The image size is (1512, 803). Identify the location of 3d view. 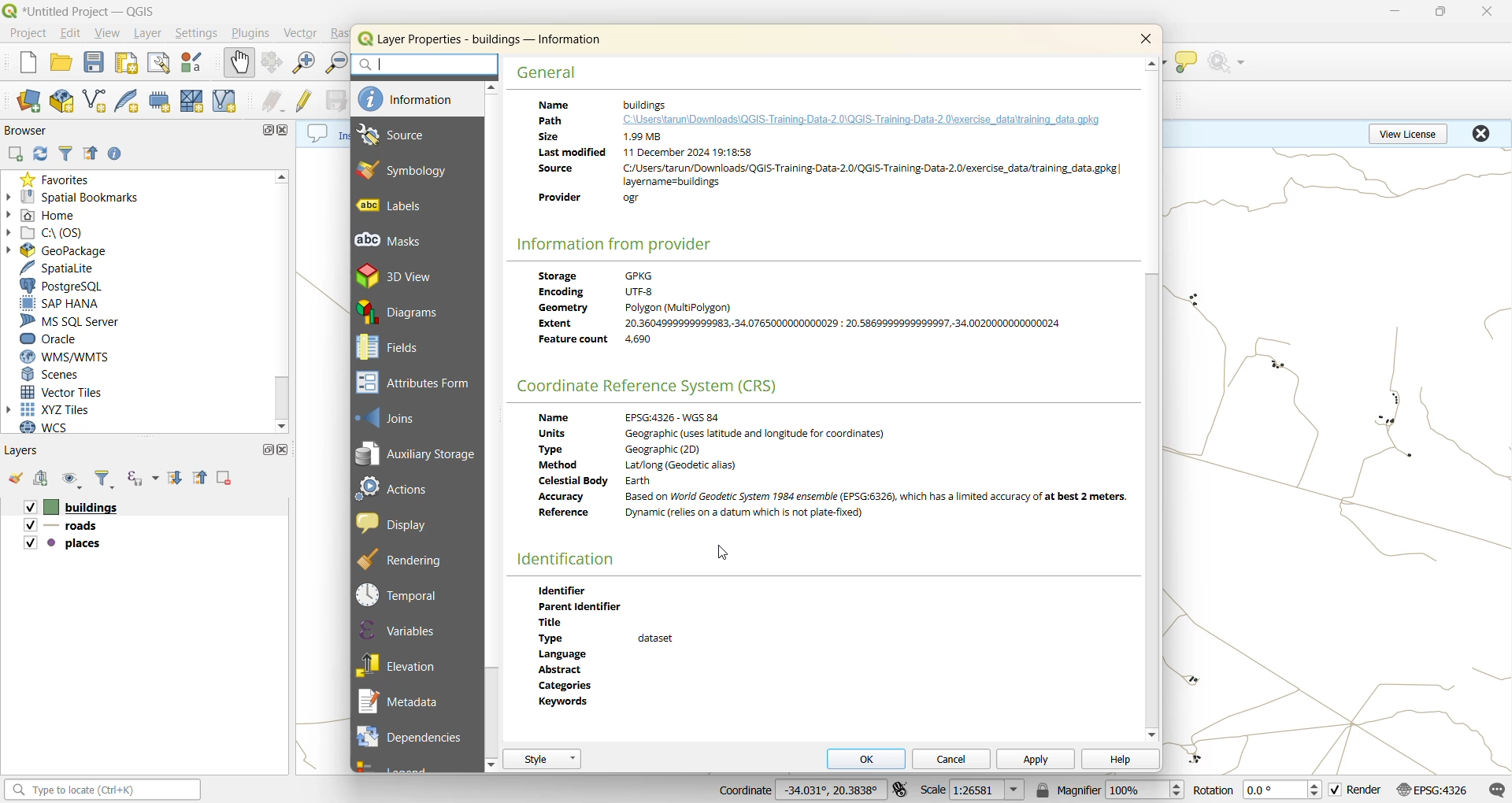
(405, 275).